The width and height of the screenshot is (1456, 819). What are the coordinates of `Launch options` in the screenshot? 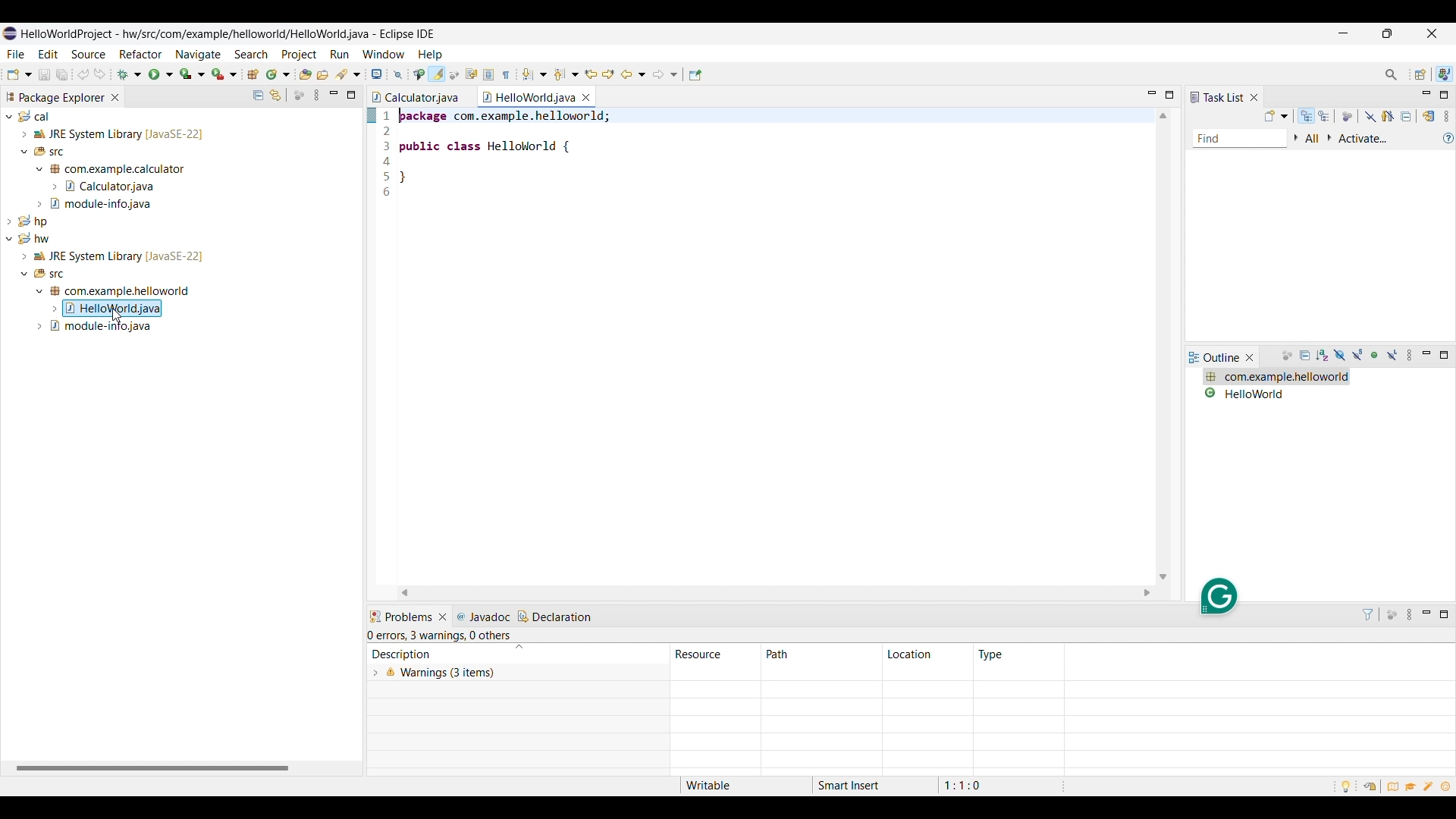 It's located at (193, 74).